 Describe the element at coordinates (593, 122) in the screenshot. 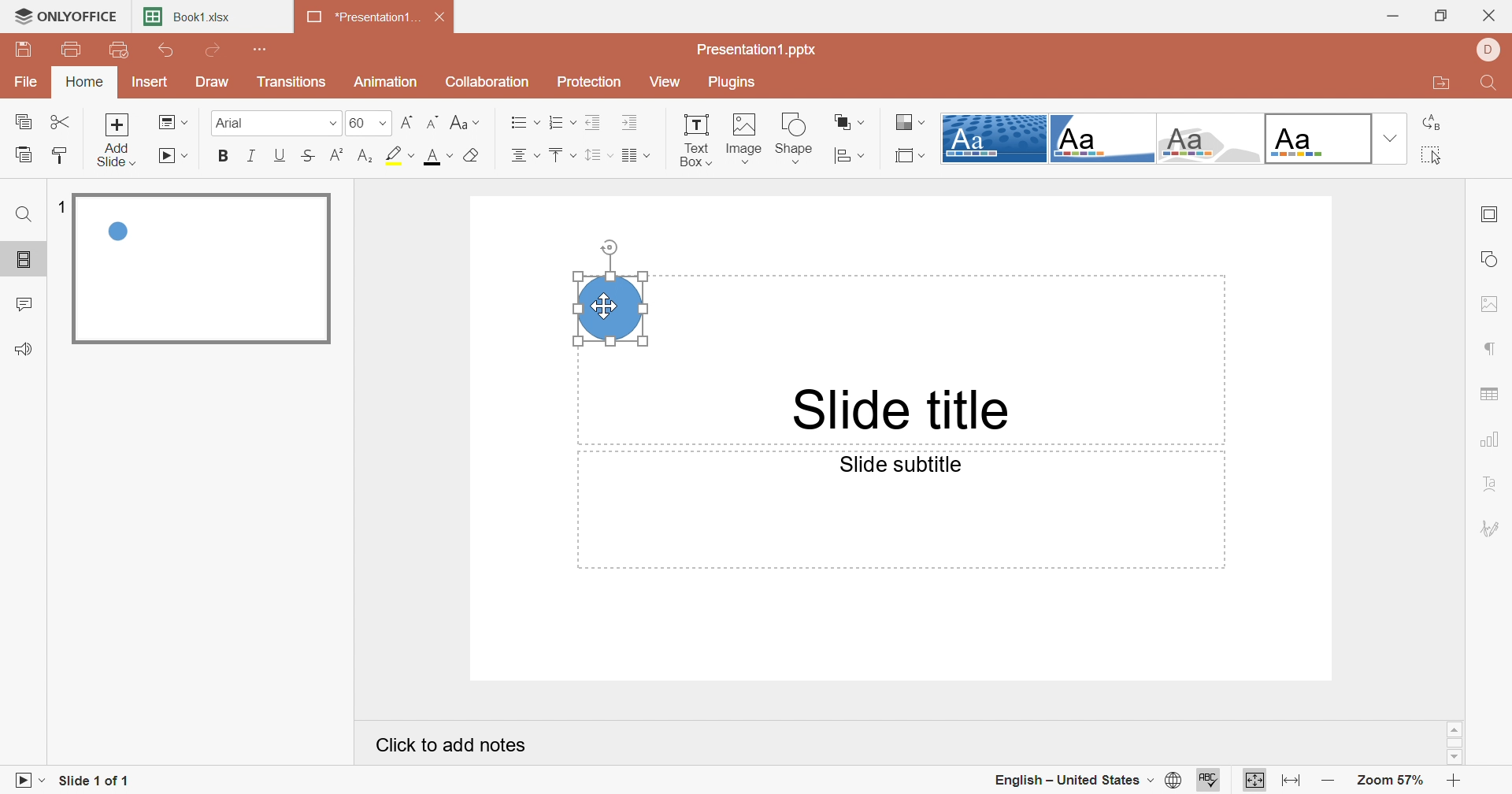

I see `Decrease indent` at that location.